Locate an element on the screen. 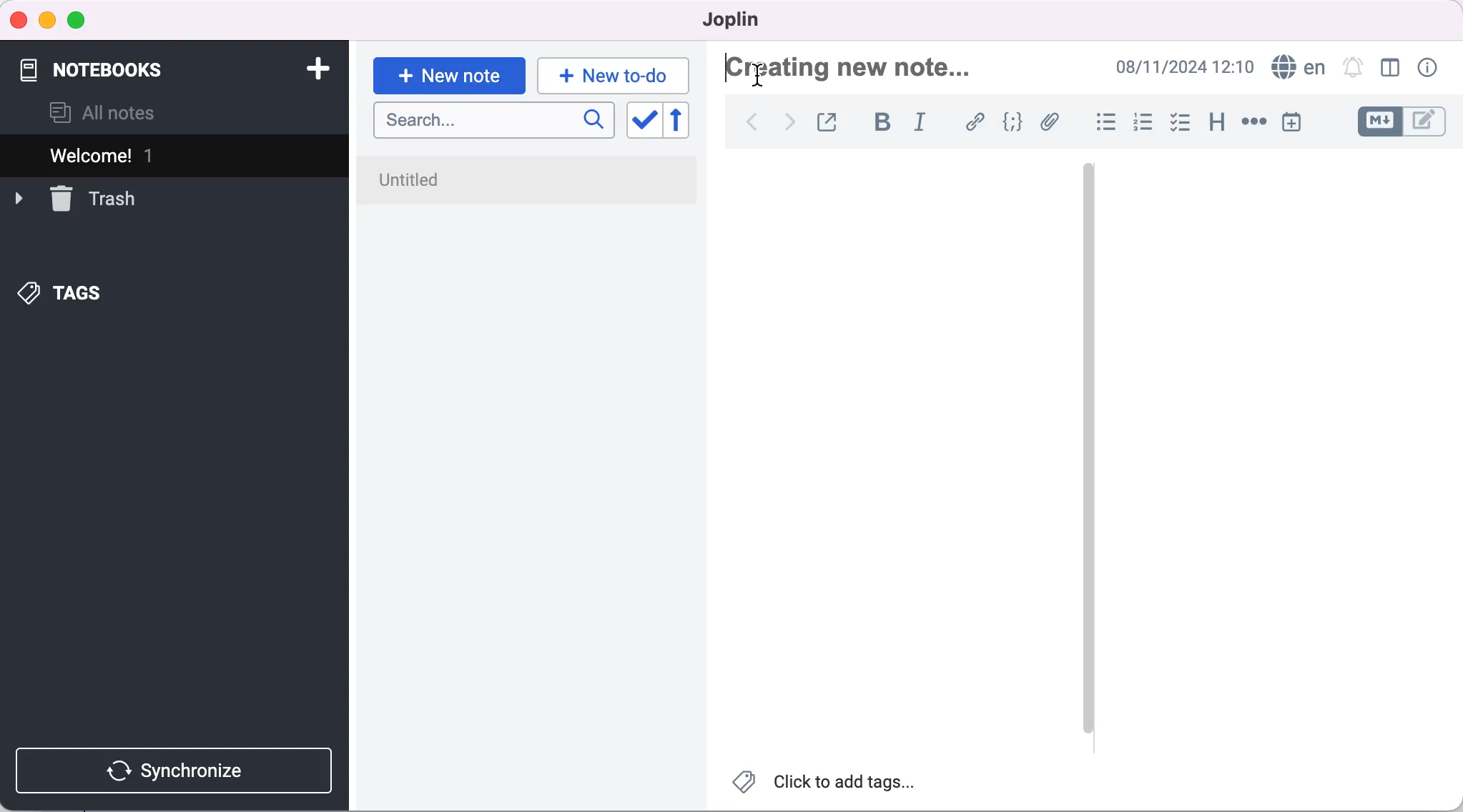  new note is located at coordinates (449, 71).